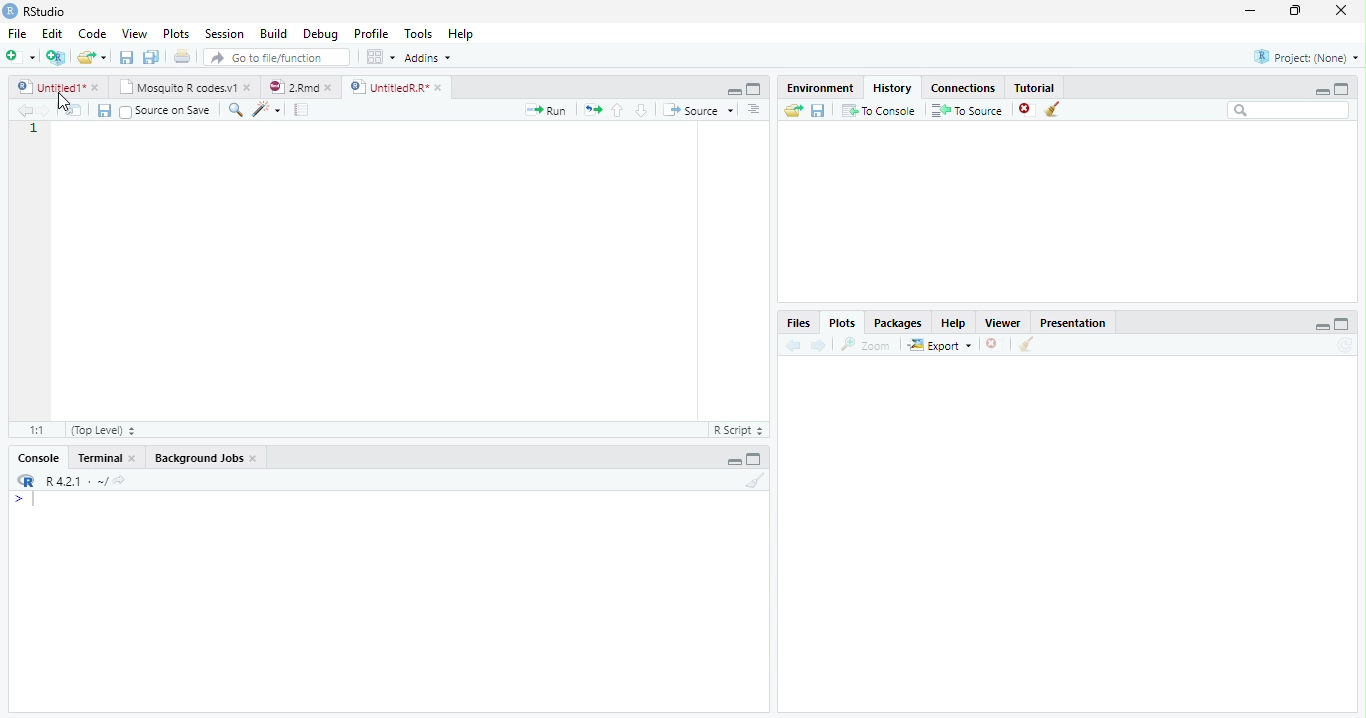 The image size is (1366, 718). What do you see at coordinates (1027, 110) in the screenshot?
I see `Remove the selected history entries` at bounding box center [1027, 110].